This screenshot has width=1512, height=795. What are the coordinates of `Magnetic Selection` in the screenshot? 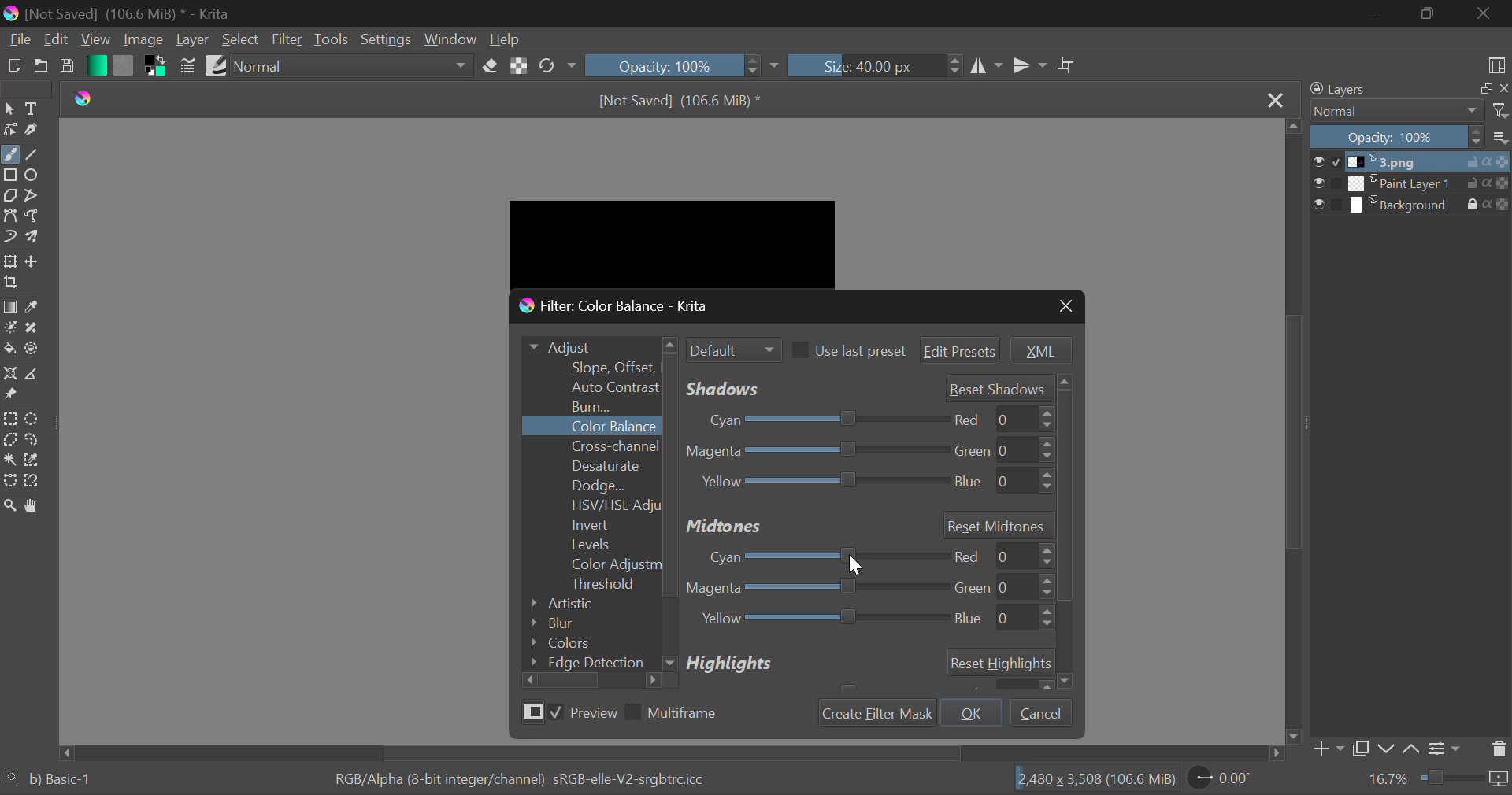 It's located at (35, 481).